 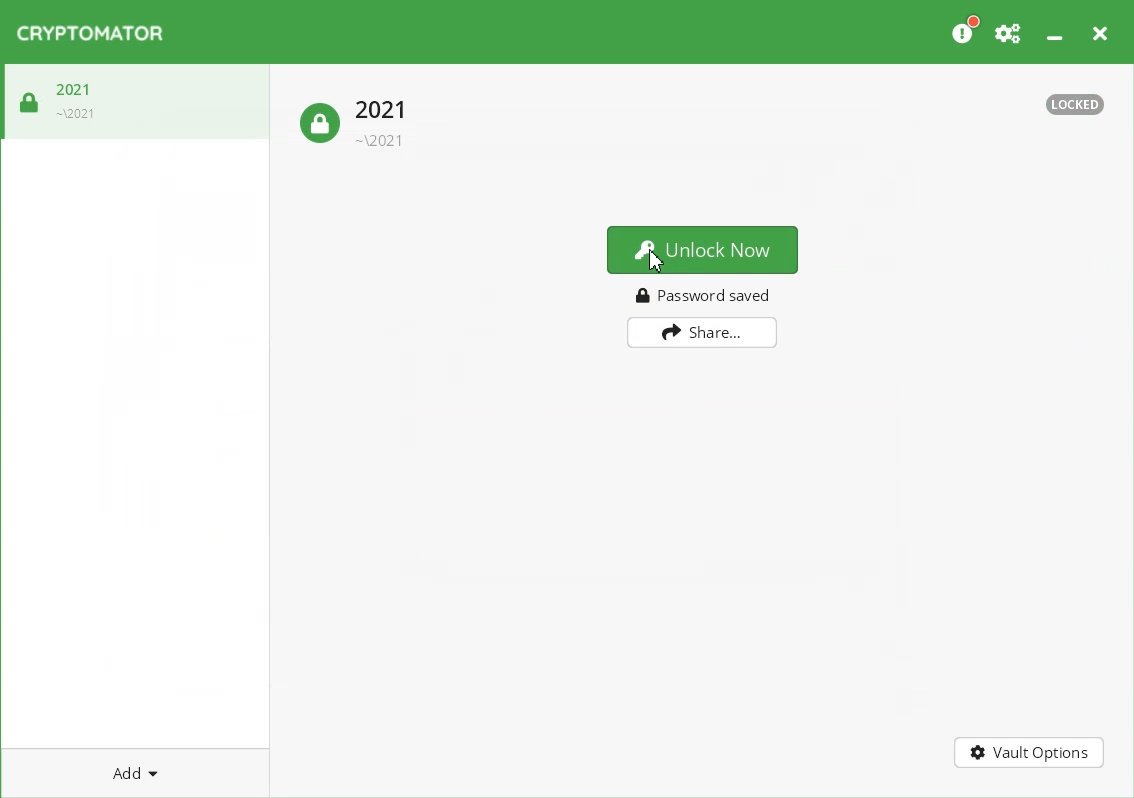 What do you see at coordinates (701, 249) in the screenshot?
I see `Text` at bounding box center [701, 249].